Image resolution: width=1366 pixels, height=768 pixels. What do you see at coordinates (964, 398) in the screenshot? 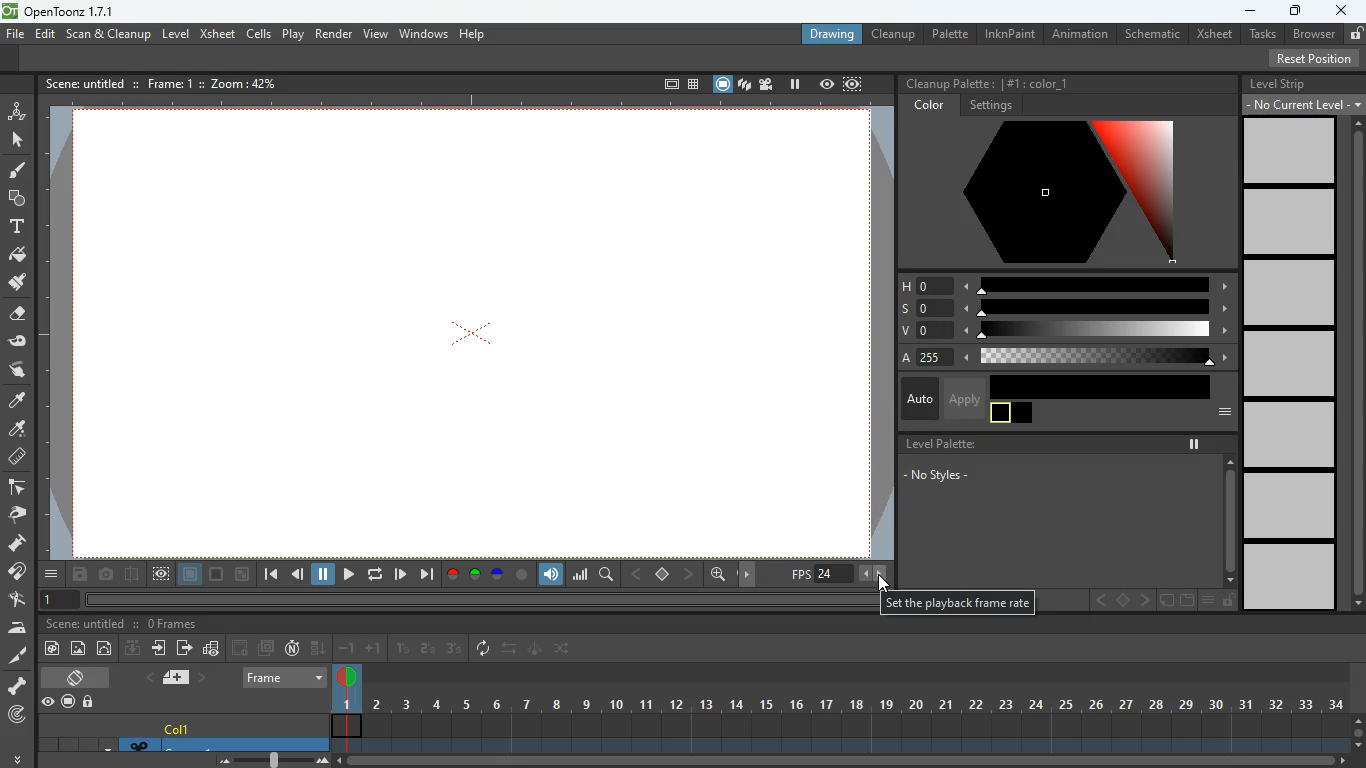
I see `apply` at bounding box center [964, 398].